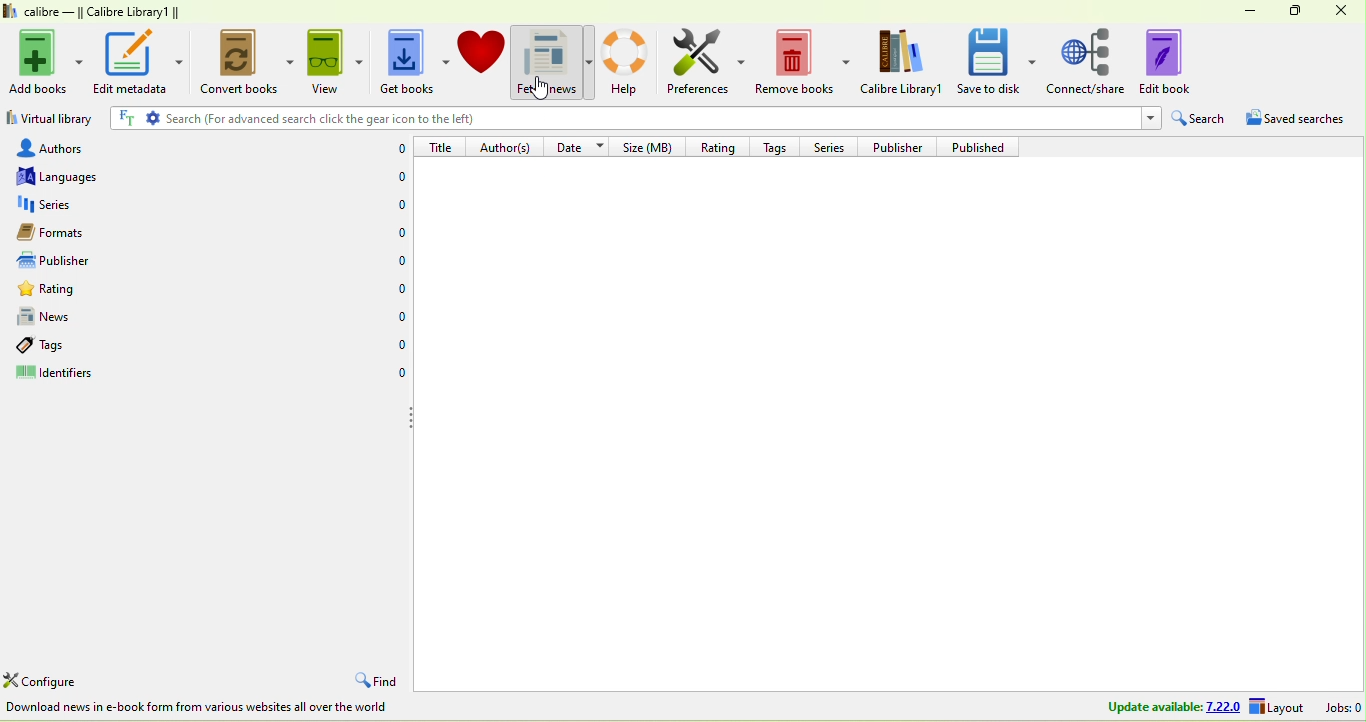 Image resolution: width=1366 pixels, height=722 pixels. I want to click on publishers, so click(152, 260).